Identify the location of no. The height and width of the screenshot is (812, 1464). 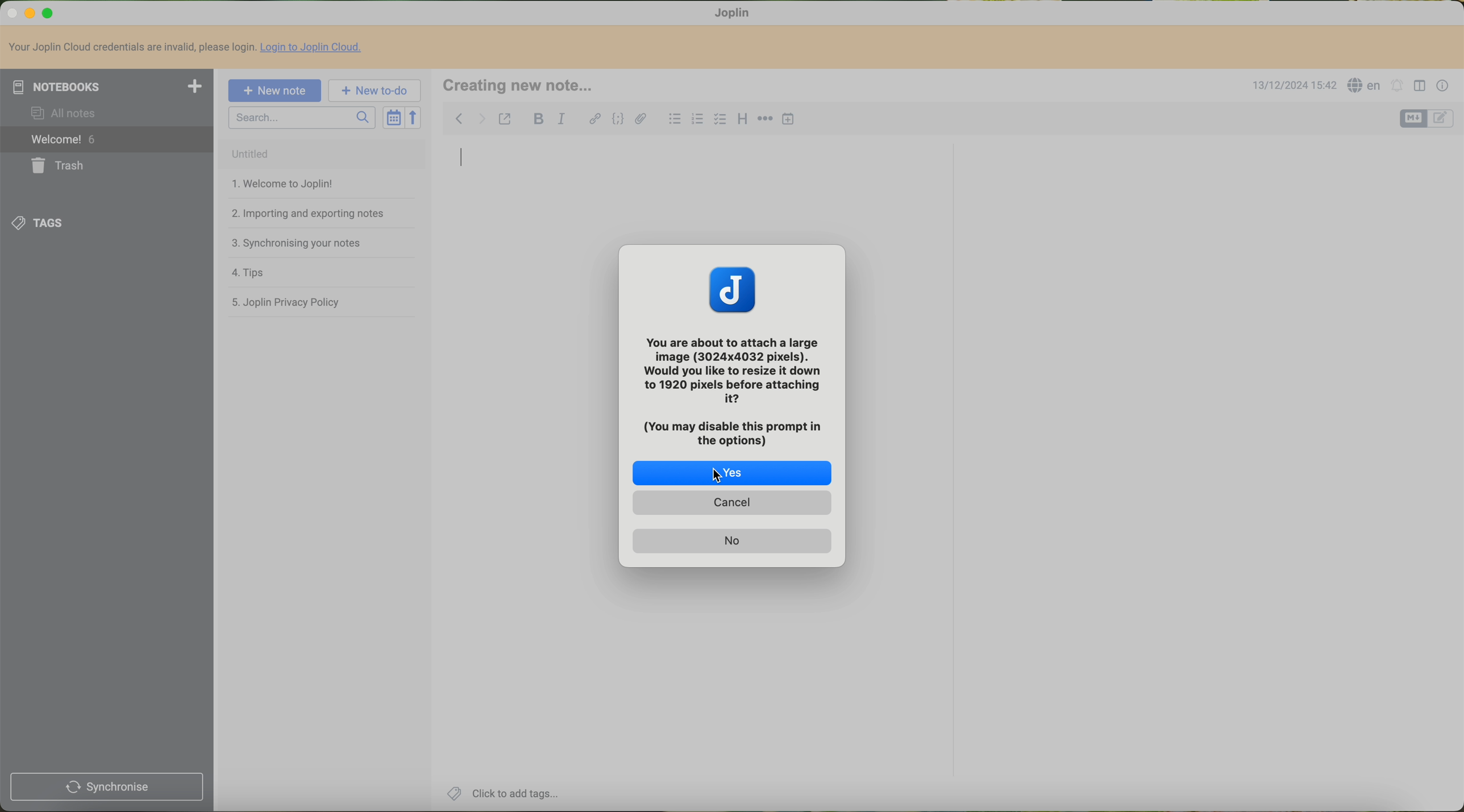
(730, 541).